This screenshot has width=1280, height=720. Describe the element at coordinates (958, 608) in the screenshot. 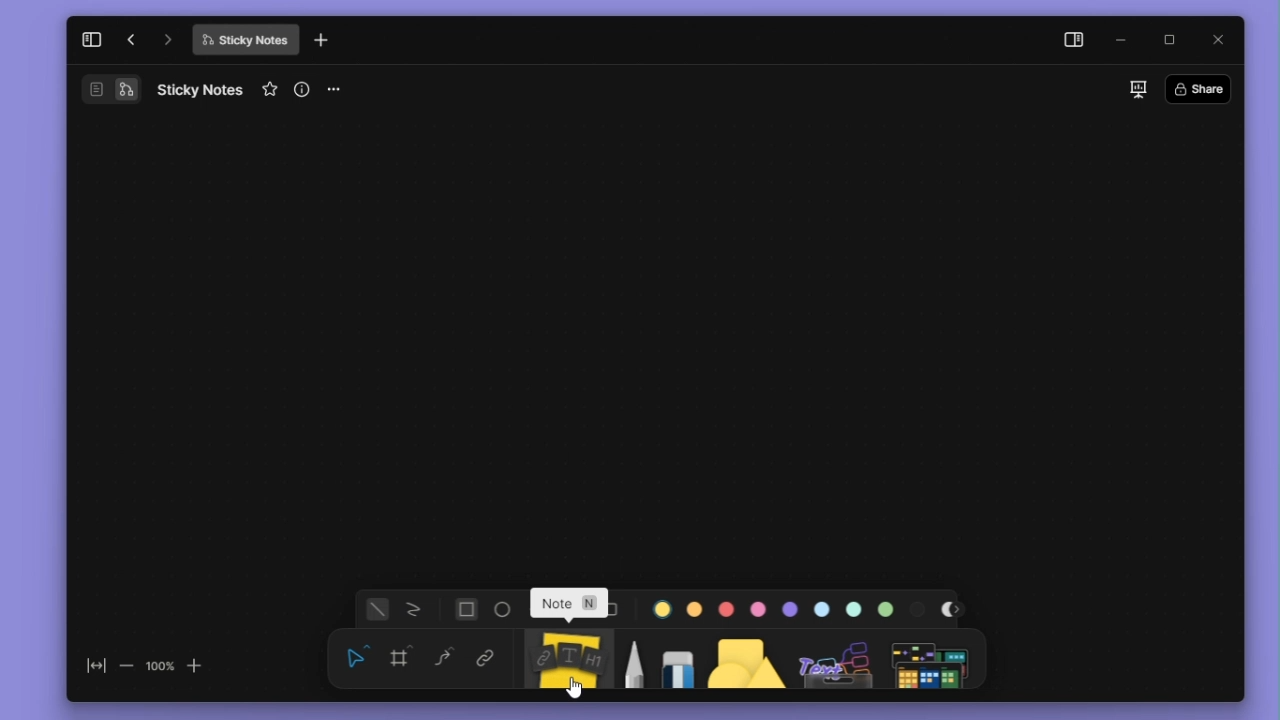

I see `next` at that location.